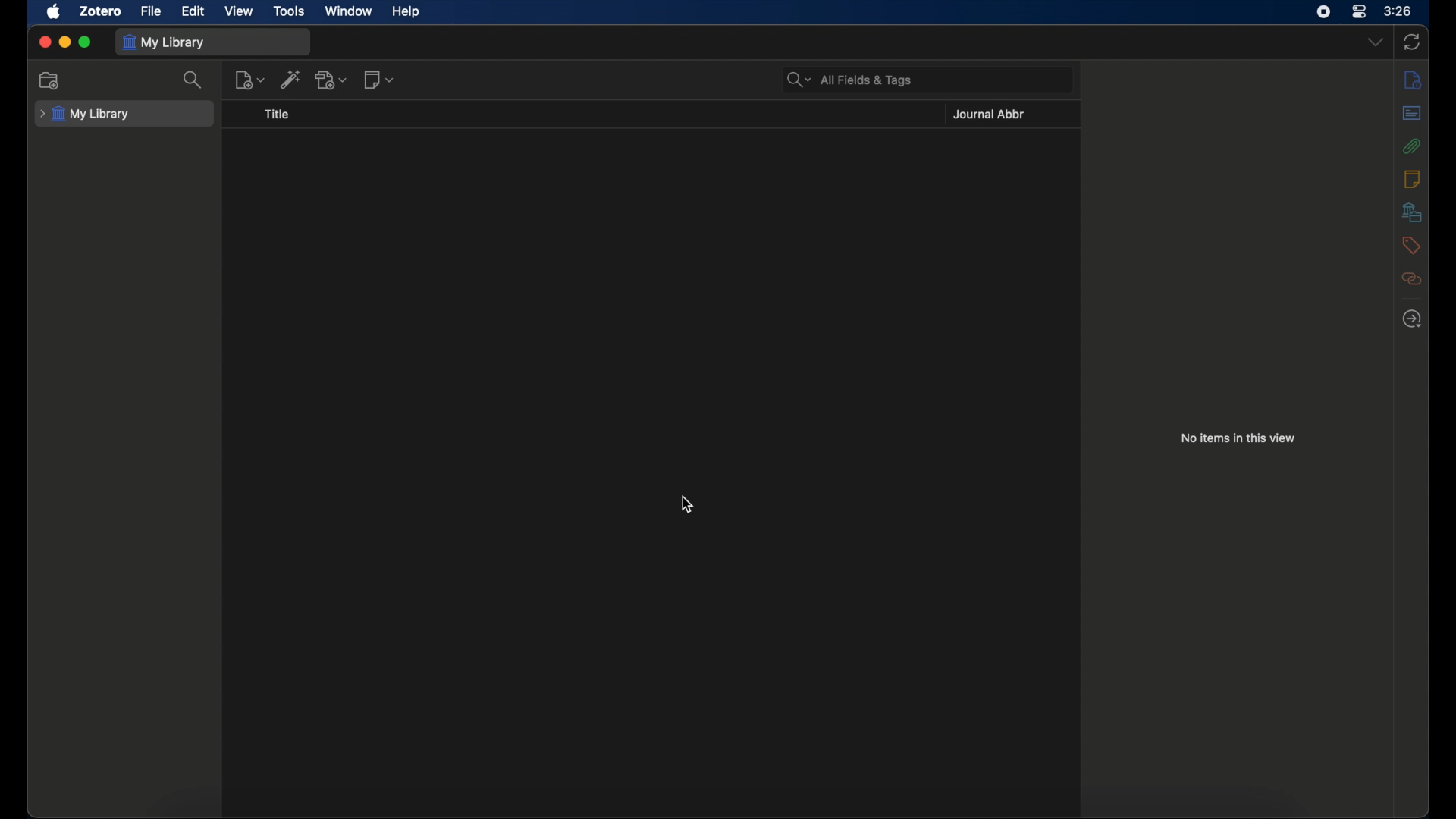 This screenshot has width=1456, height=819. What do you see at coordinates (86, 42) in the screenshot?
I see `maximize` at bounding box center [86, 42].